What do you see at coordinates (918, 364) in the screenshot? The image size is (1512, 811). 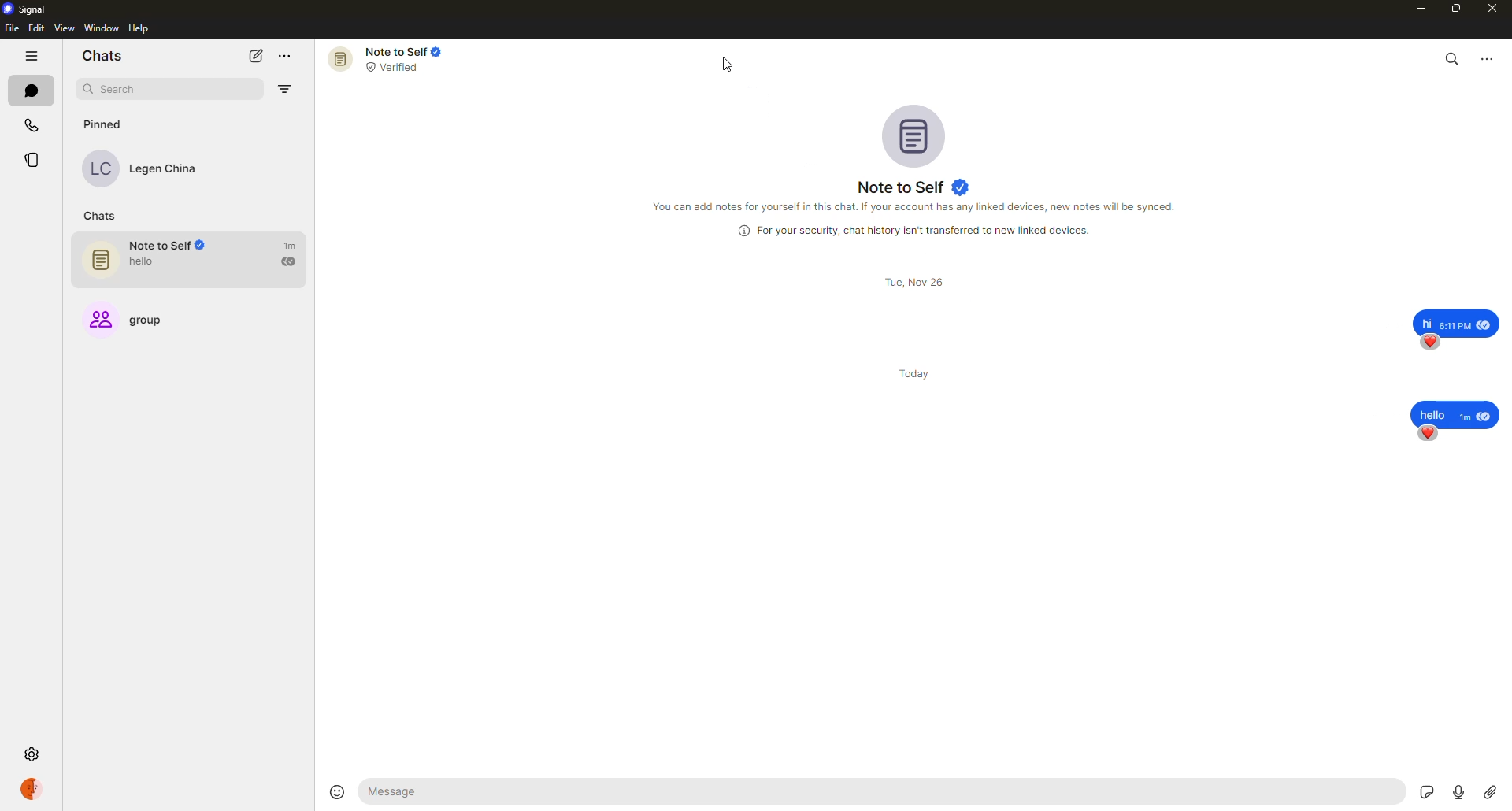 I see `day` at bounding box center [918, 364].